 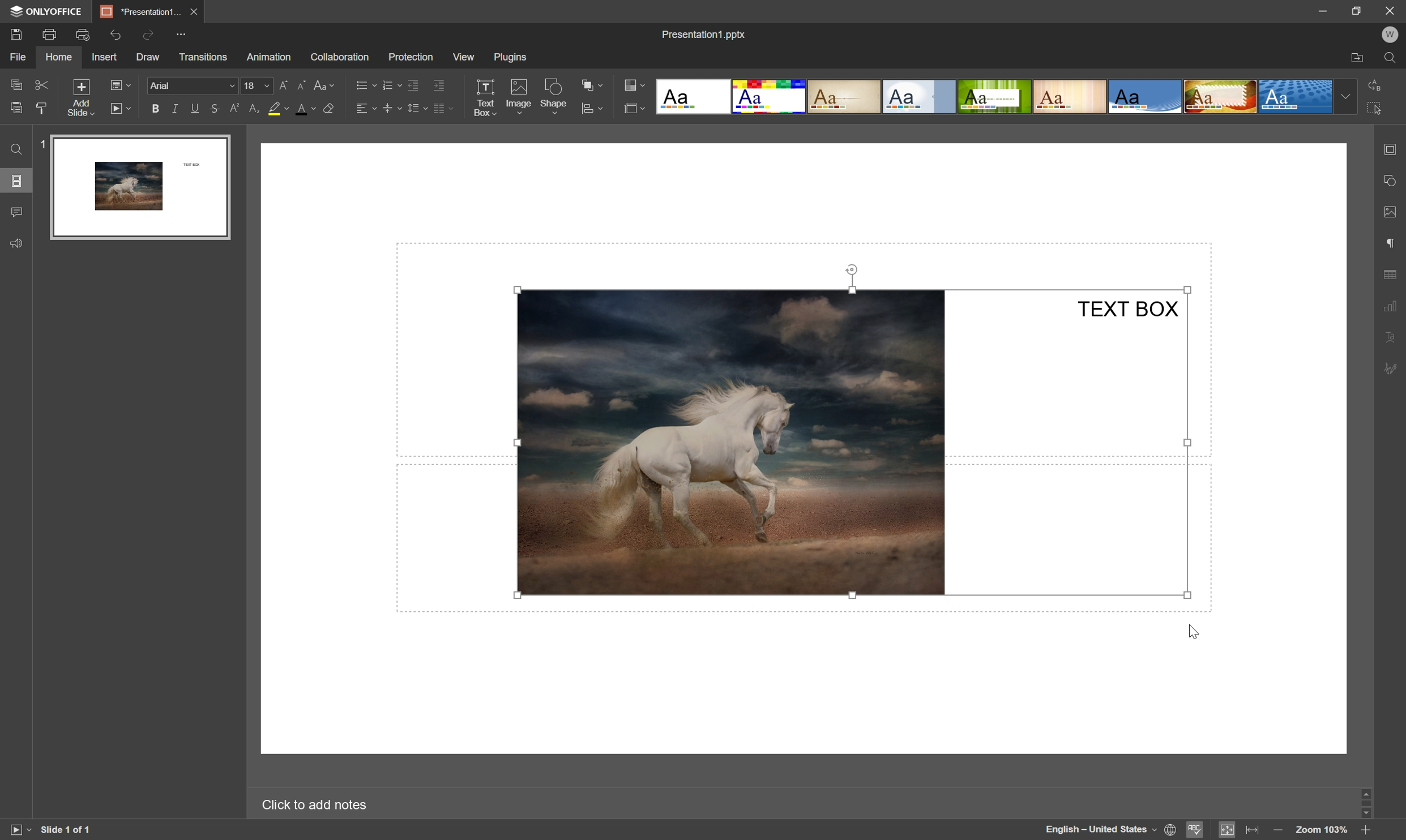 What do you see at coordinates (919, 98) in the screenshot?
I see `Official` at bounding box center [919, 98].